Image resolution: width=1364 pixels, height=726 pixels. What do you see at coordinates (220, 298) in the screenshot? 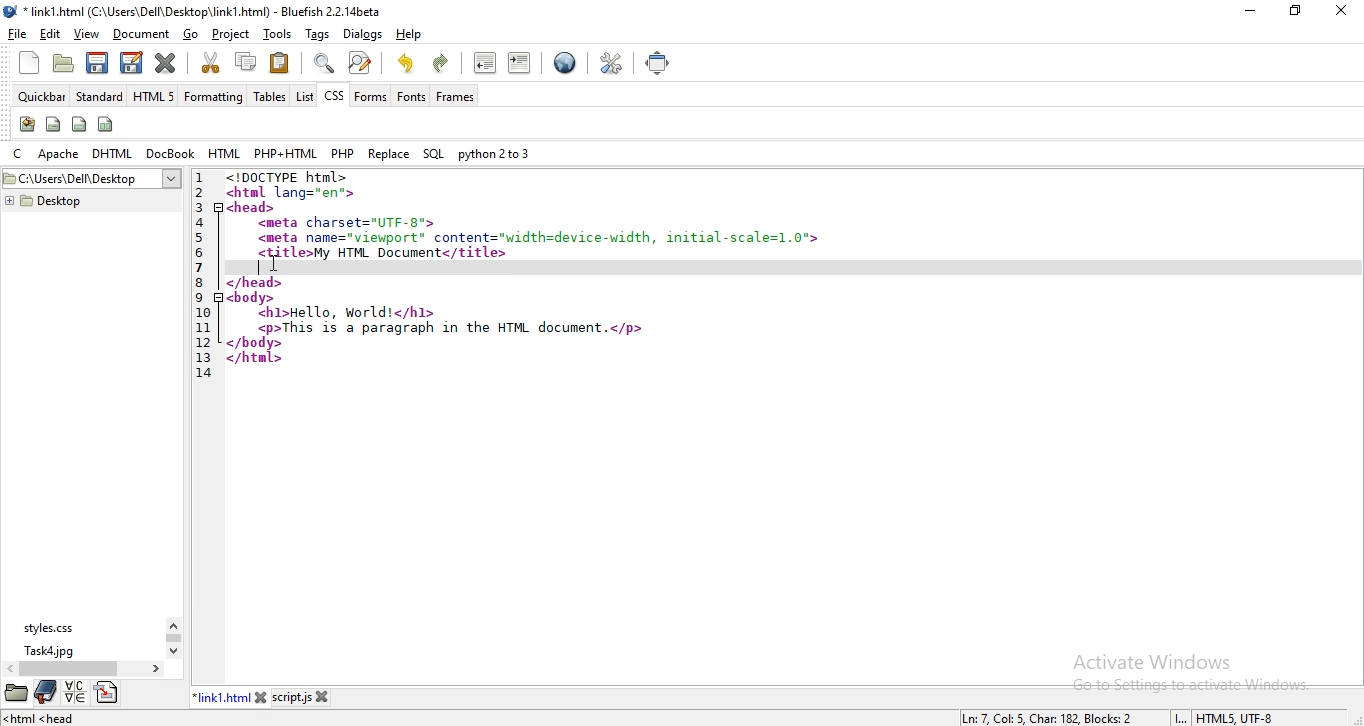
I see `code fold` at bounding box center [220, 298].